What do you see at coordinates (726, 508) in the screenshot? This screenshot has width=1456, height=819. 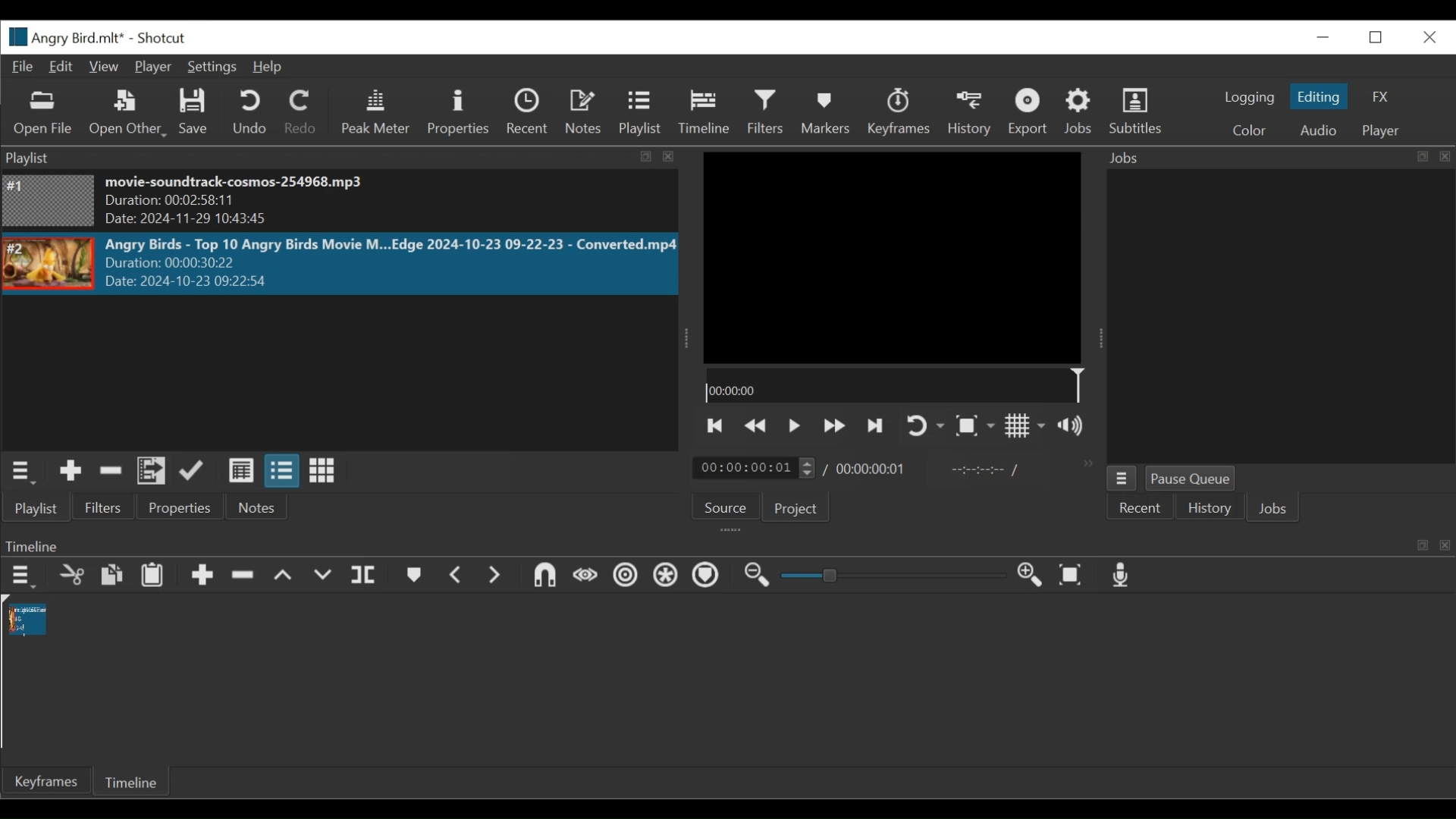 I see `Source` at bounding box center [726, 508].